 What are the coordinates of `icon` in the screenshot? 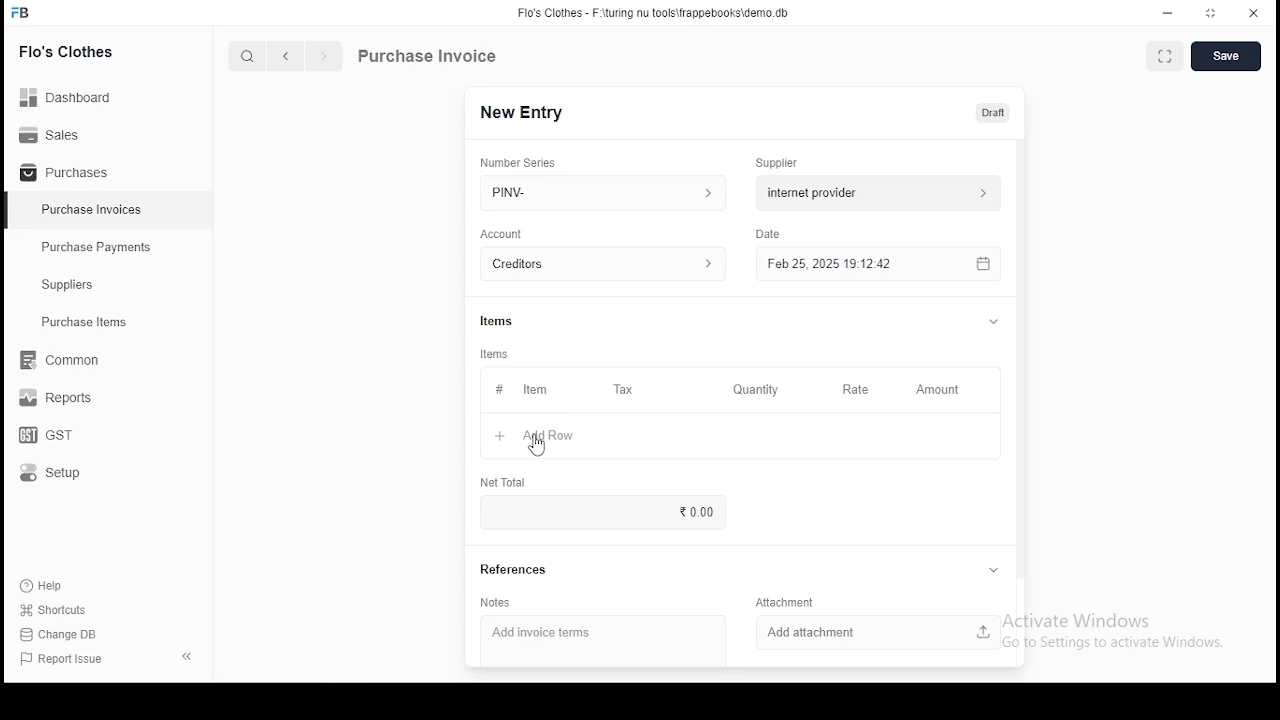 It's located at (21, 13).